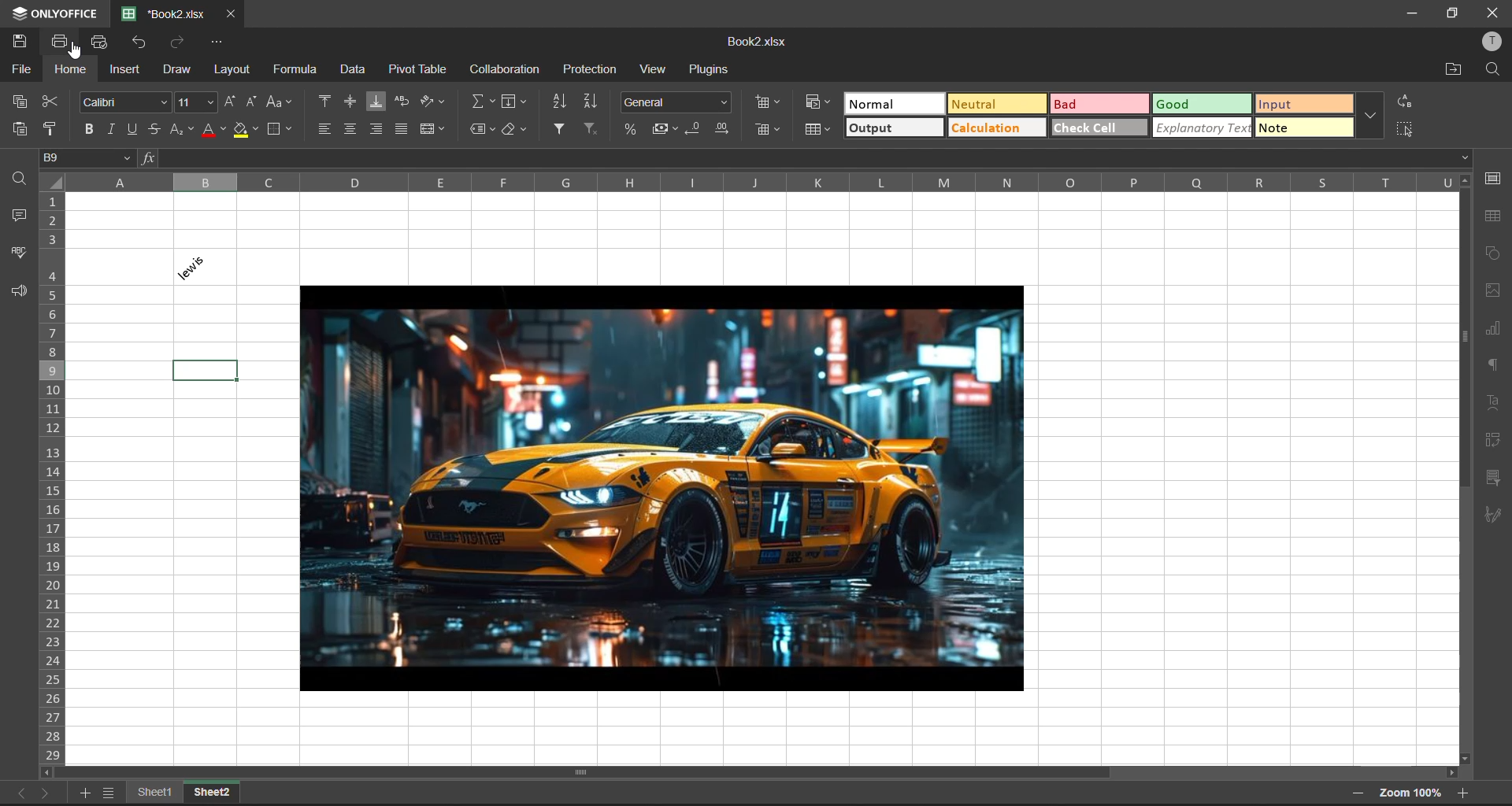  What do you see at coordinates (1455, 69) in the screenshot?
I see `open location` at bounding box center [1455, 69].